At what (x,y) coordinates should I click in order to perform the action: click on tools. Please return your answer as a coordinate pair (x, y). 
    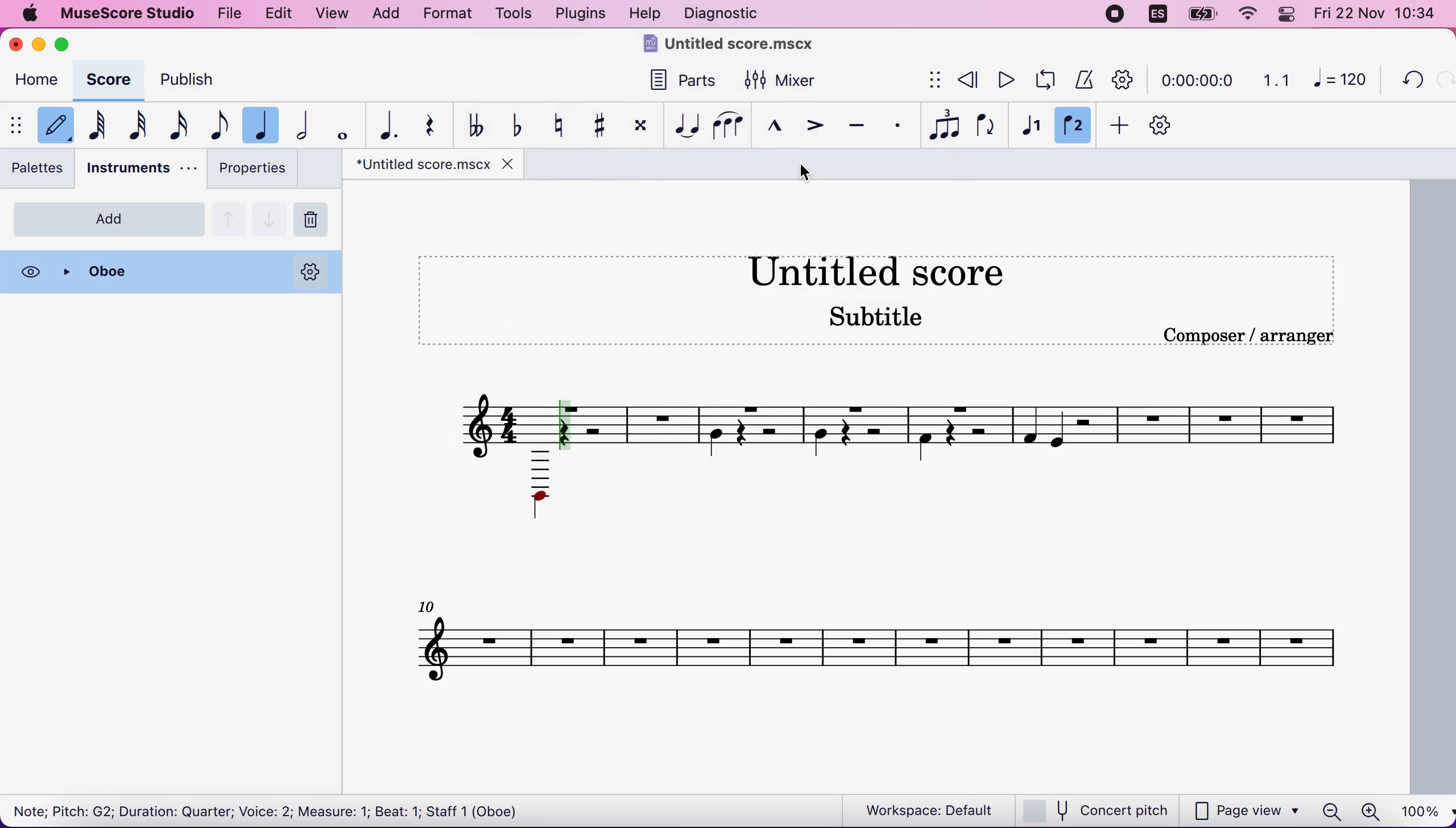
    Looking at the image, I should click on (514, 15).